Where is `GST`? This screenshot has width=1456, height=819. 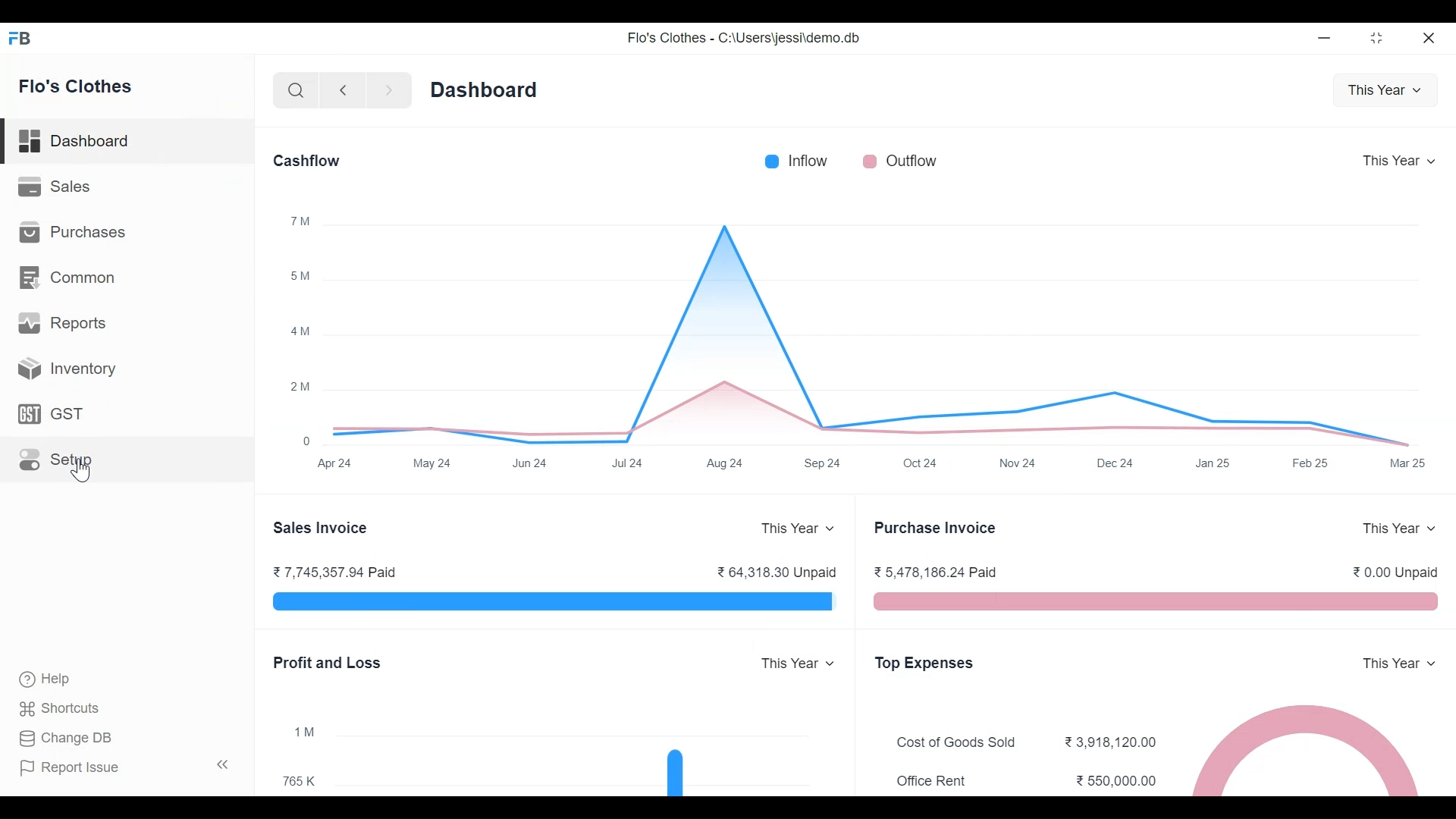
GST is located at coordinates (52, 416).